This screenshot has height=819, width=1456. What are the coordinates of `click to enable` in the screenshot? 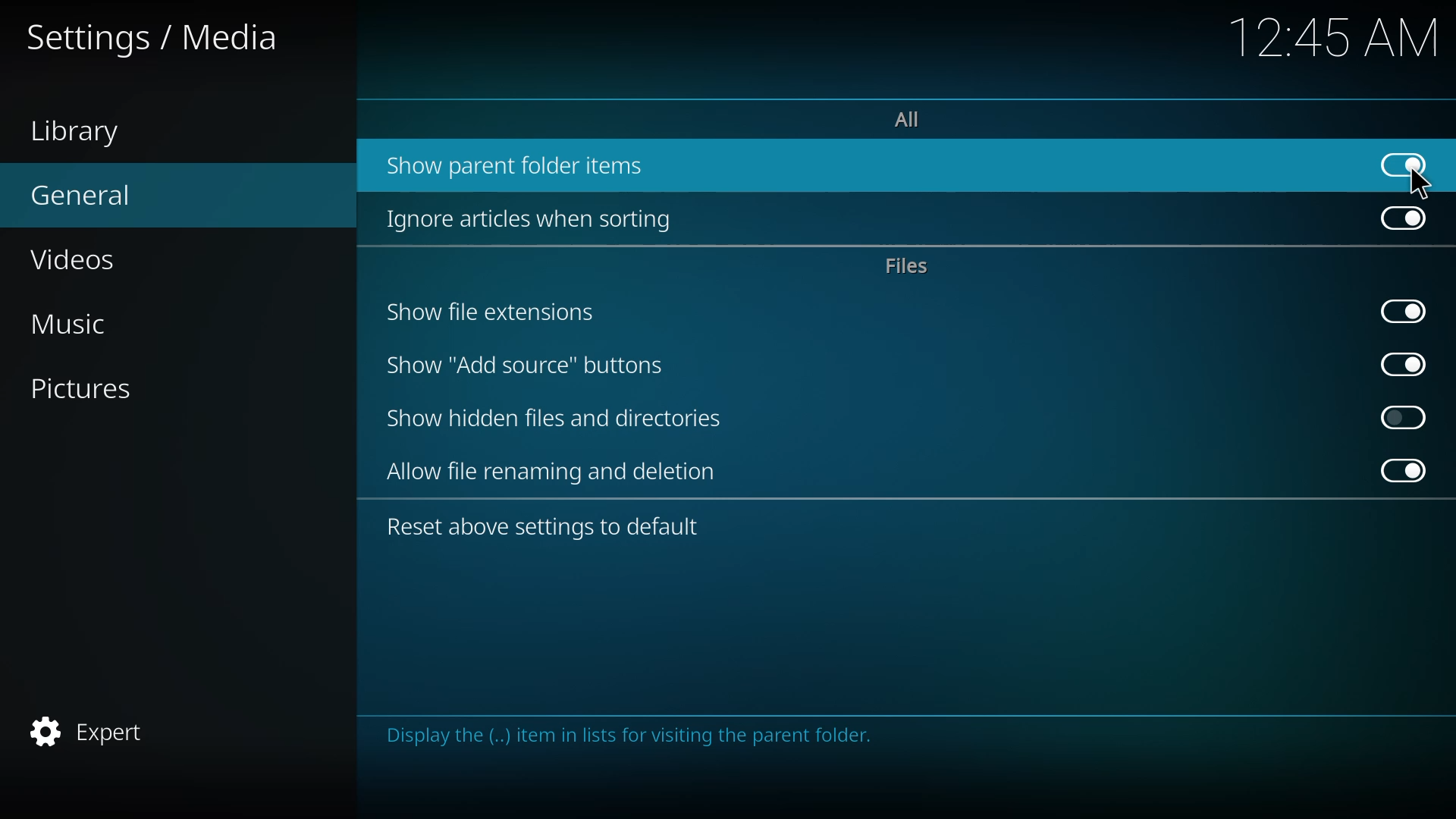 It's located at (1403, 416).